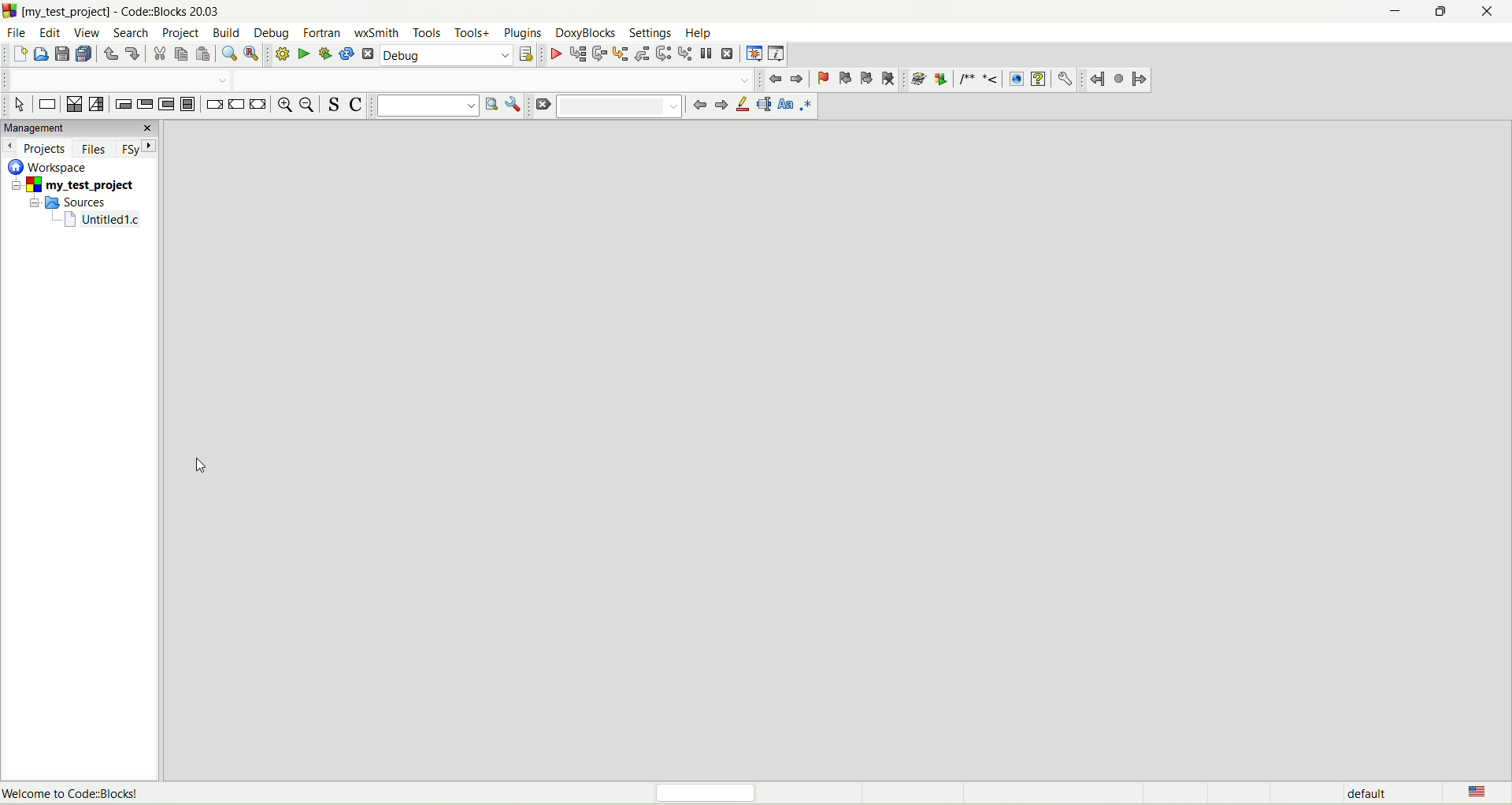  Describe the element at coordinates (80, 128) in the screenshot. I see `management` at that location.